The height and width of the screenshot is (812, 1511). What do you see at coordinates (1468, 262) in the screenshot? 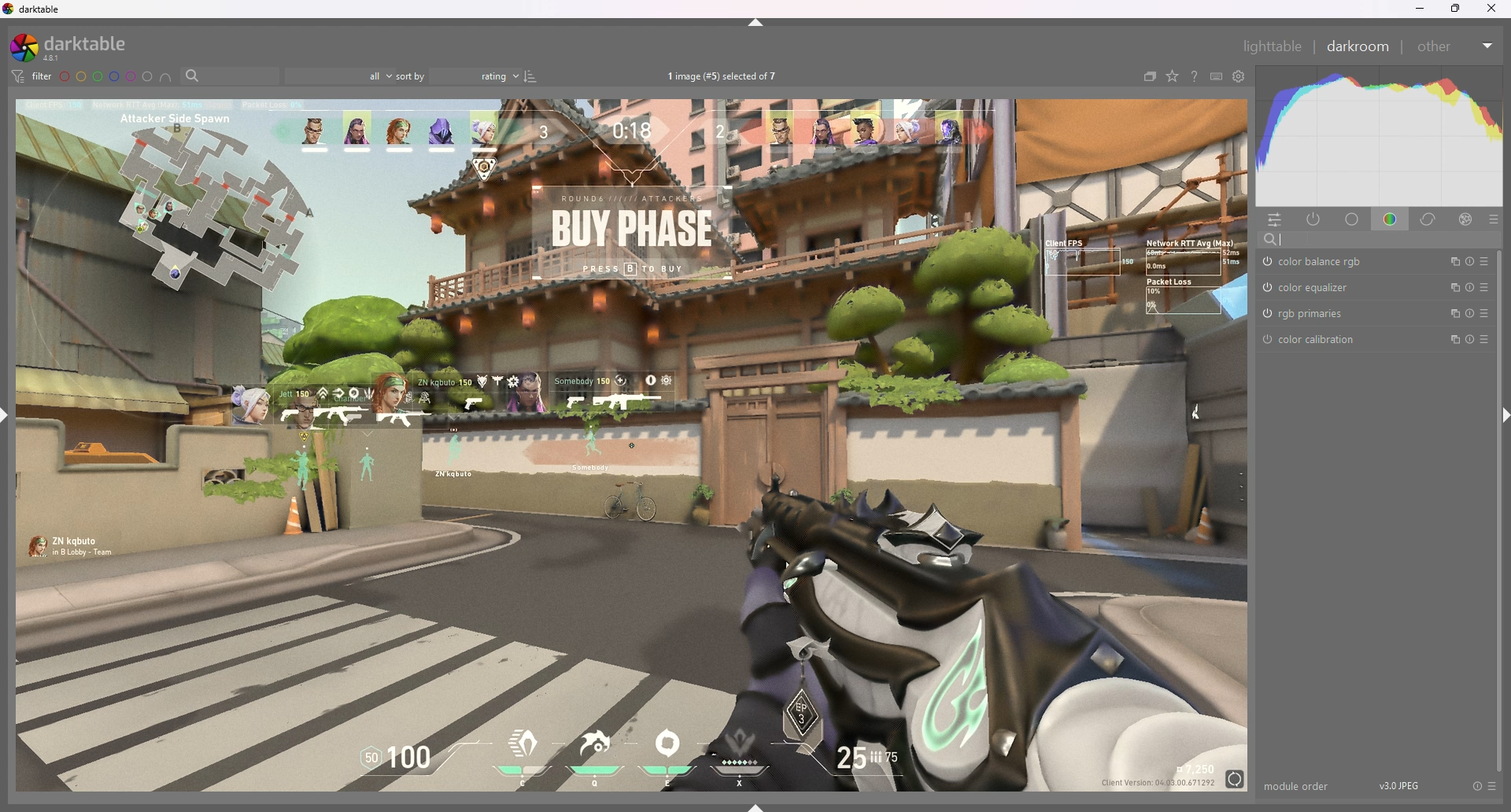
I see `reset` at bounding box center [1468, 262].